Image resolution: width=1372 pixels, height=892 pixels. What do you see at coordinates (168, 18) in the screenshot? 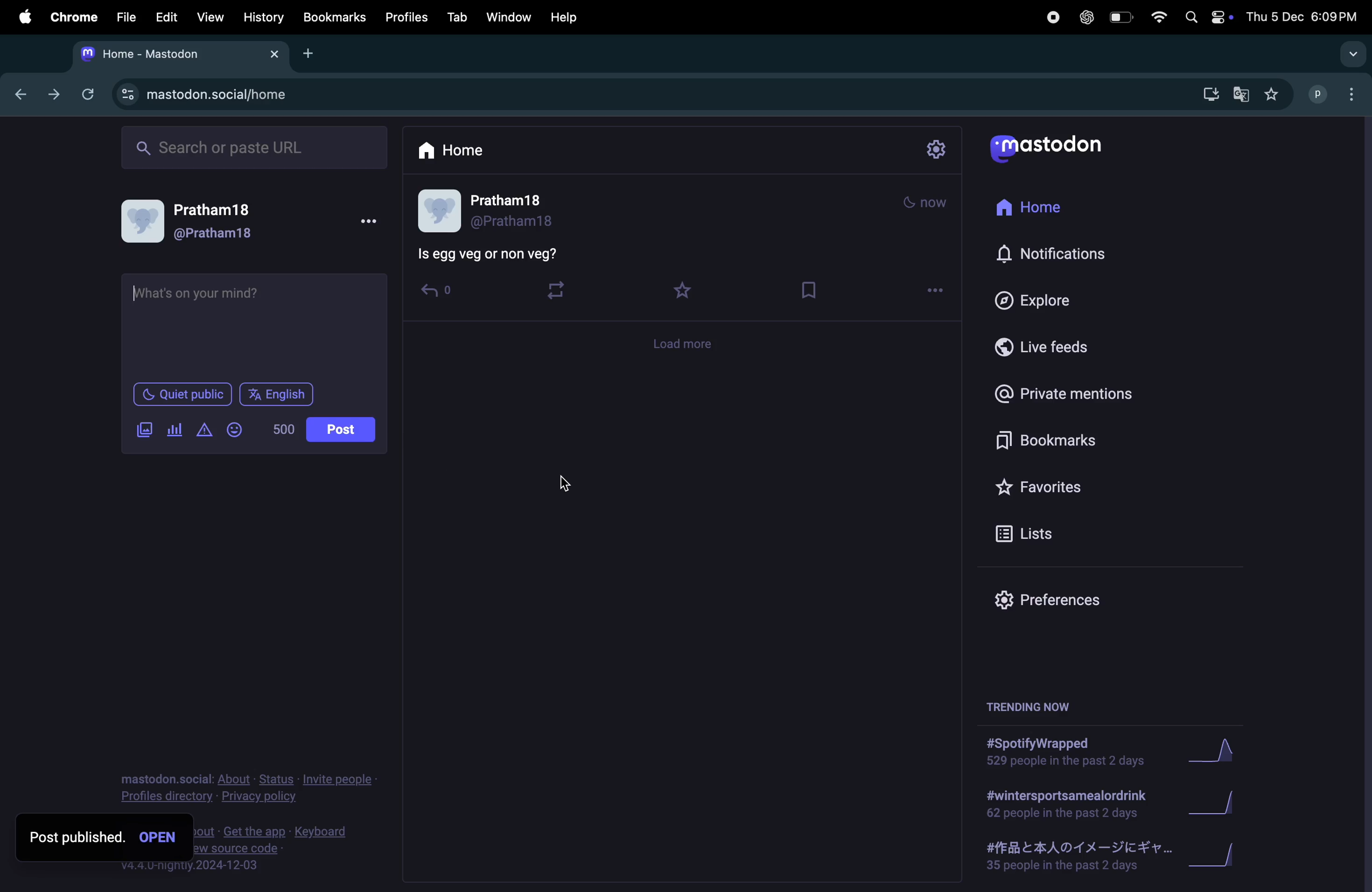
I see `edit` at bounding box center [168, 18].